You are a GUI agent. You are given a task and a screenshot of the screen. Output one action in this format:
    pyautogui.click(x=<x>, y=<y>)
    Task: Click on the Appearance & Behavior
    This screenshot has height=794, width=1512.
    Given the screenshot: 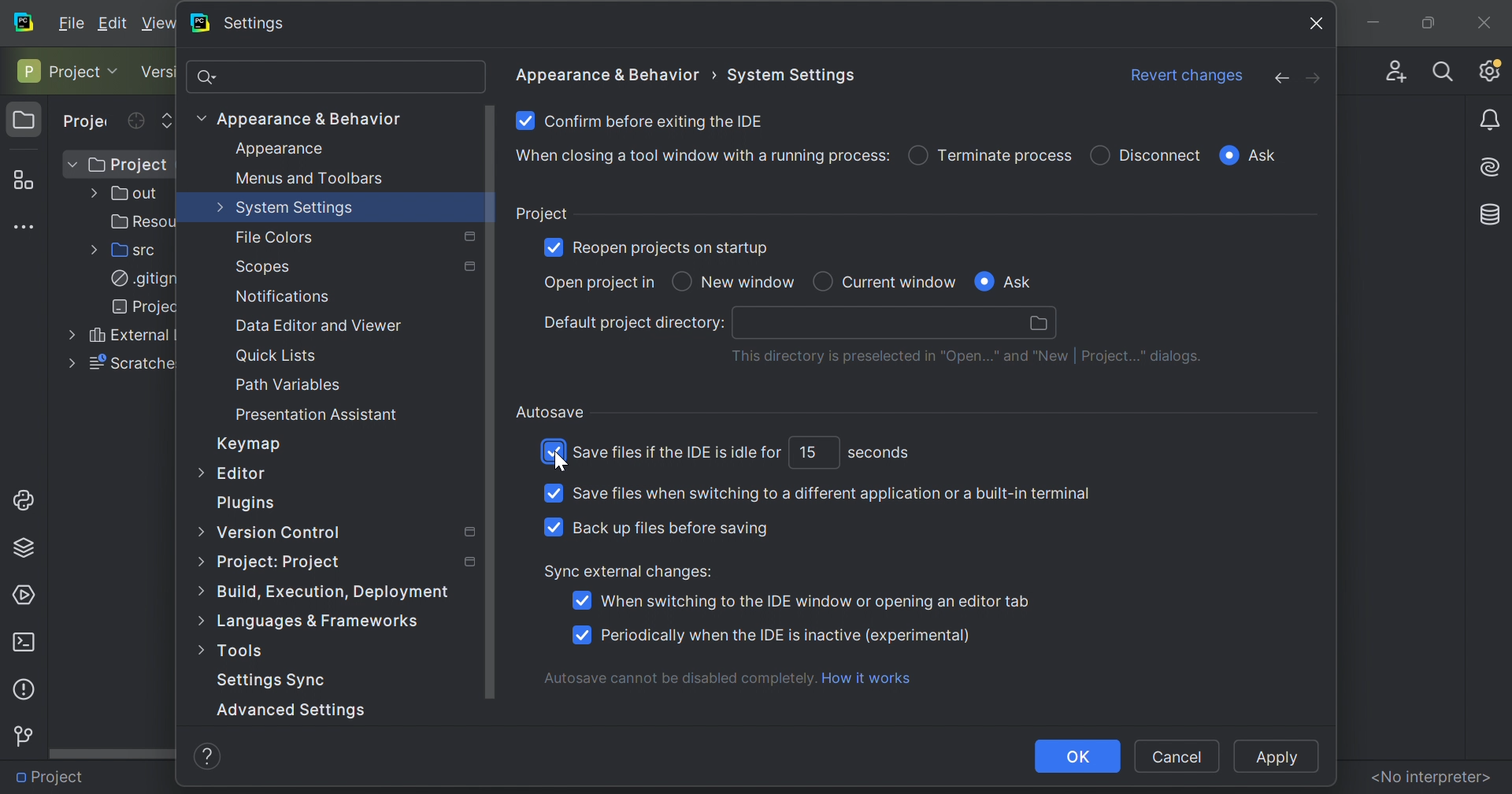 What is the action you would take?
    pyautogui.click(x=312, y=118)
    